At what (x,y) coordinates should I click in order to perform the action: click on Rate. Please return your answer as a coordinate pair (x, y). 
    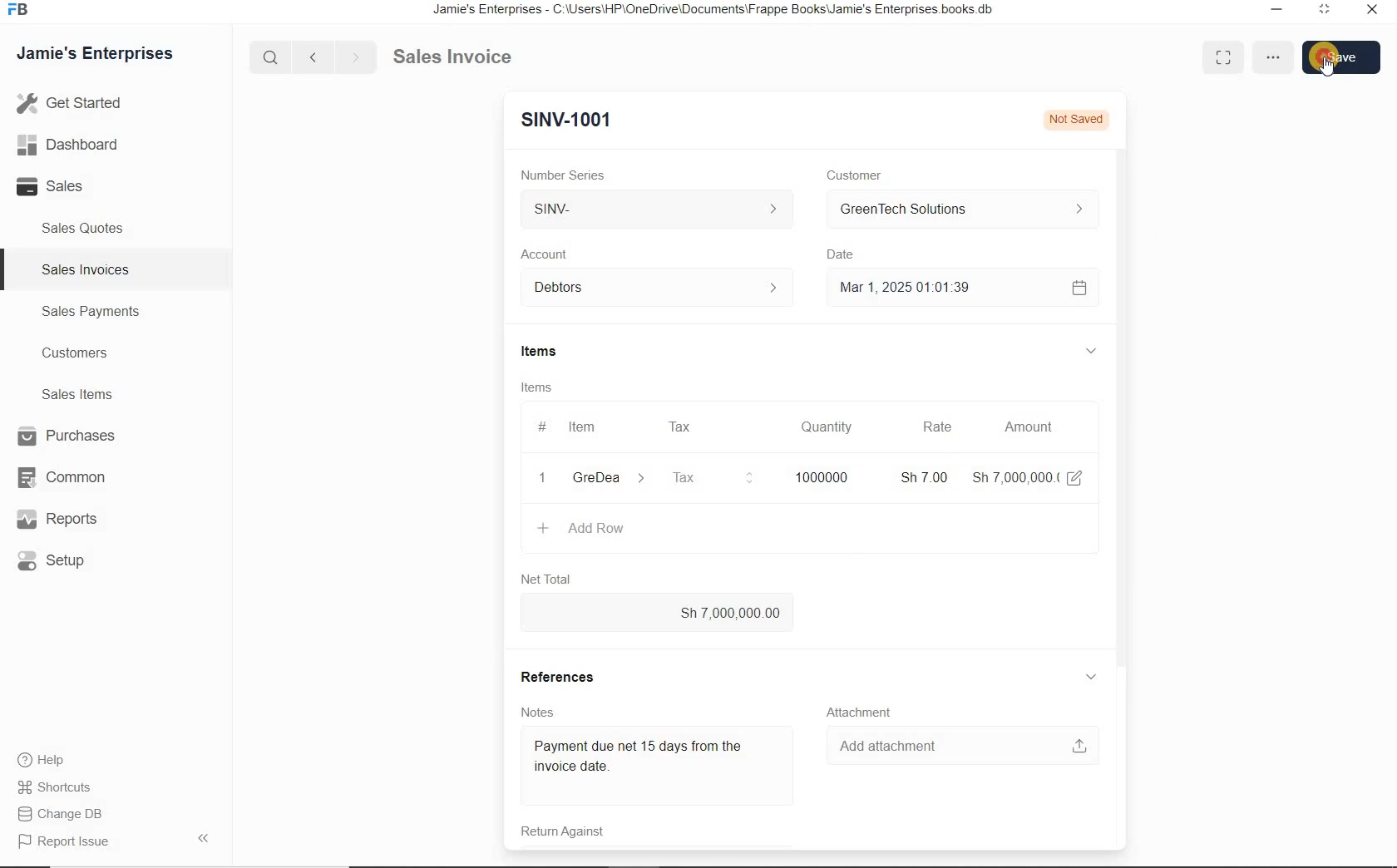
    Looking at the image, I should click on (937, 428).